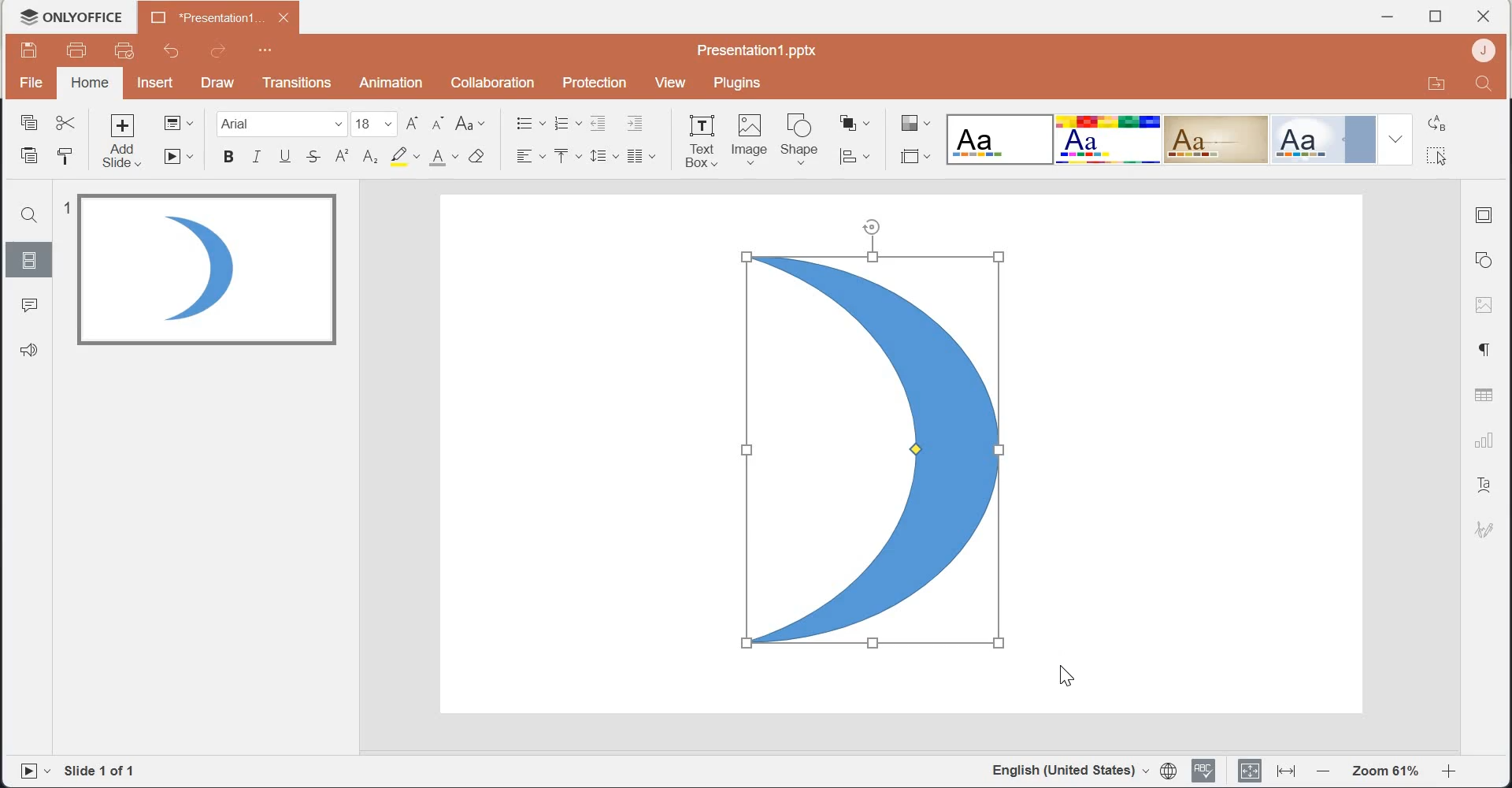 This screenshot has height=788, width=1512. Describe the element at coordinates (27, 303) in the screenshot. I see `Comments` at that location.